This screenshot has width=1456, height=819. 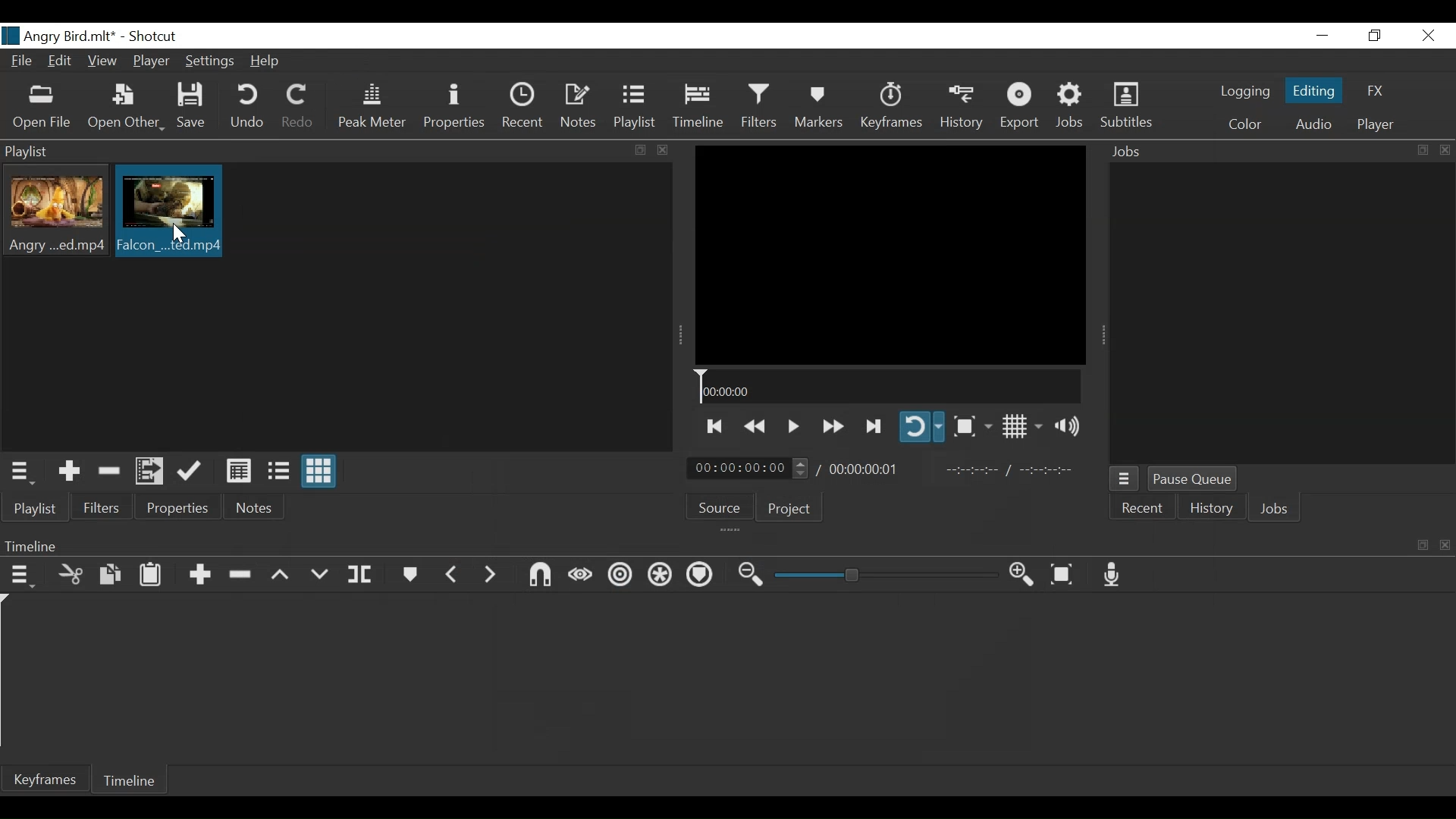 What do you see at coordinates (104, 36) in the screenshot?
I see `title` at bounding box center [104, 36].